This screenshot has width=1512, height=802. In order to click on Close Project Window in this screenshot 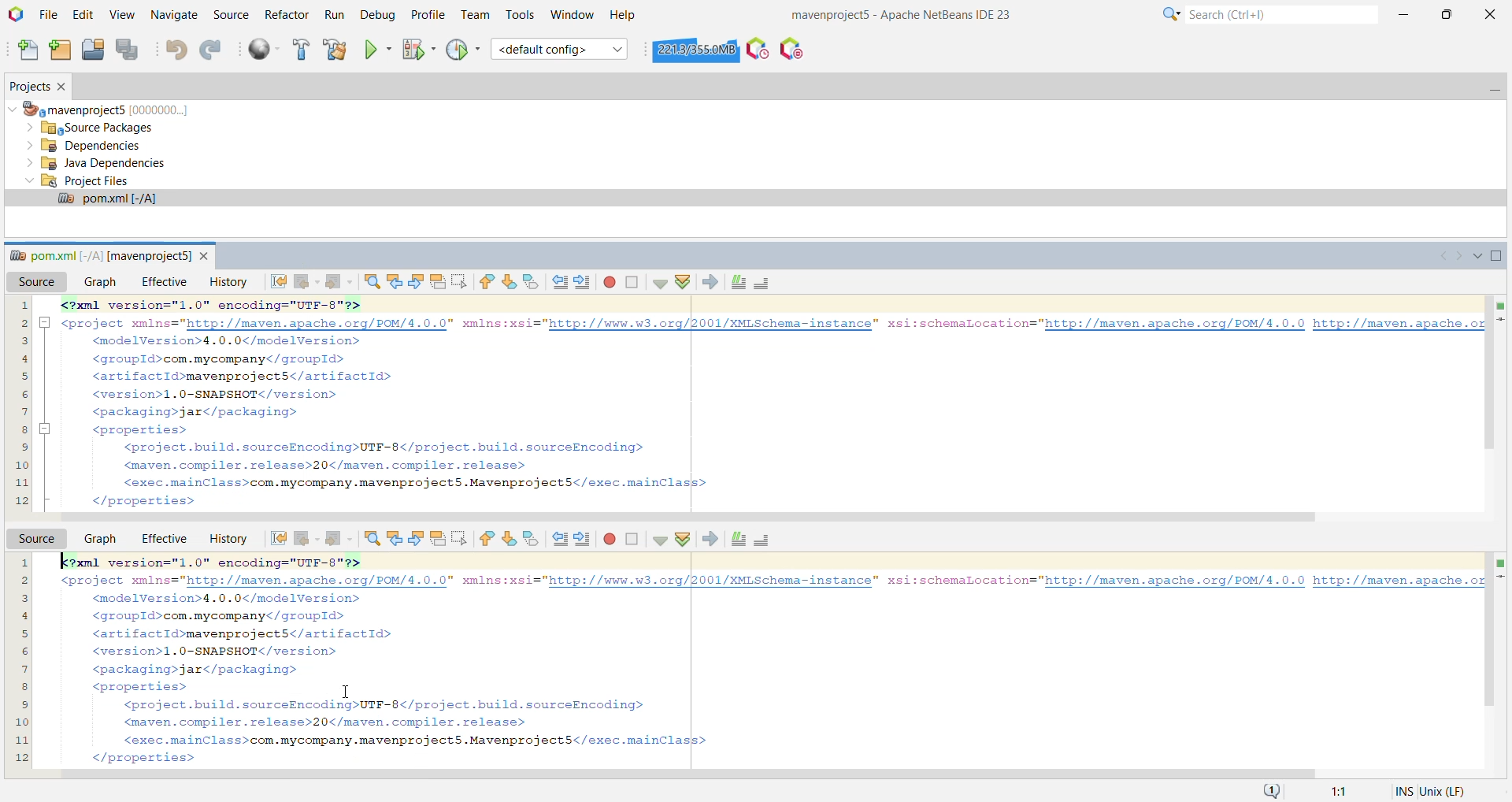, I will do `click(64, 87)`.